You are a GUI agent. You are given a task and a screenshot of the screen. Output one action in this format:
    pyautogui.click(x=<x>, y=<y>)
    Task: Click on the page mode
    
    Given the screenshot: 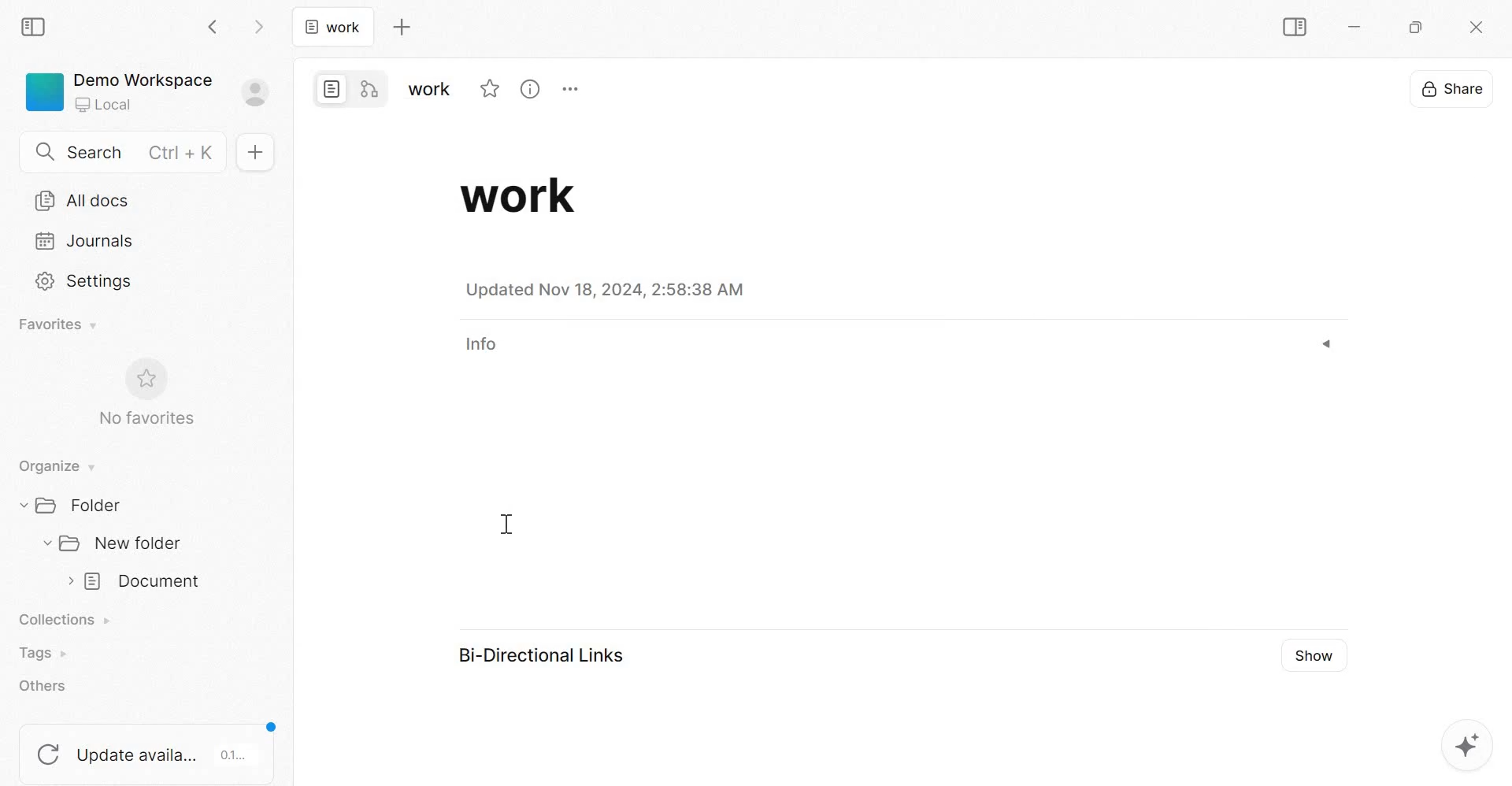 What is the action you would take?
    pyautogui.click(x=332, y=88)
    